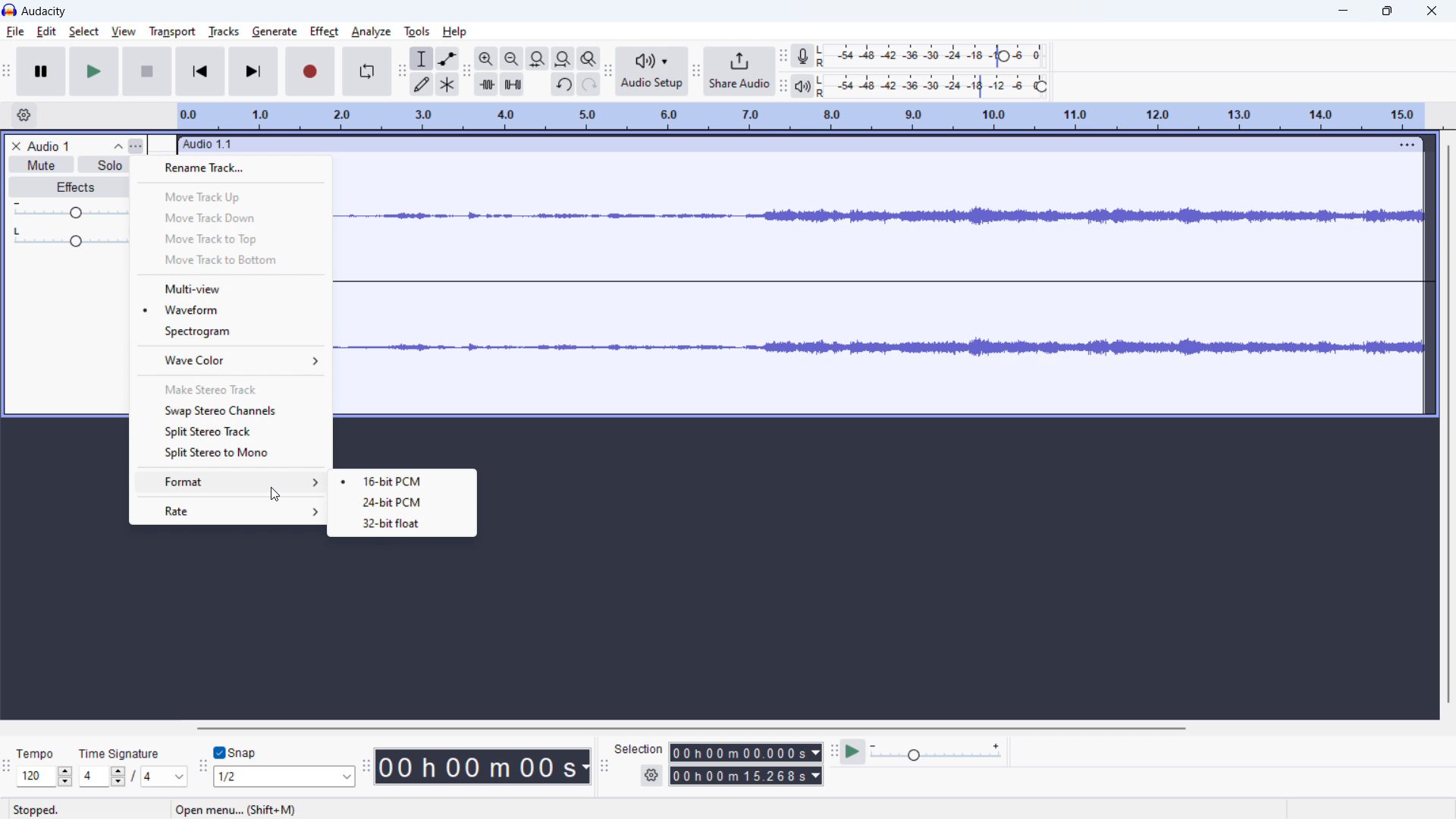  Describe the element at coordinates (202, 767) in the screenshot. I see `snapping toolbar` at that location.